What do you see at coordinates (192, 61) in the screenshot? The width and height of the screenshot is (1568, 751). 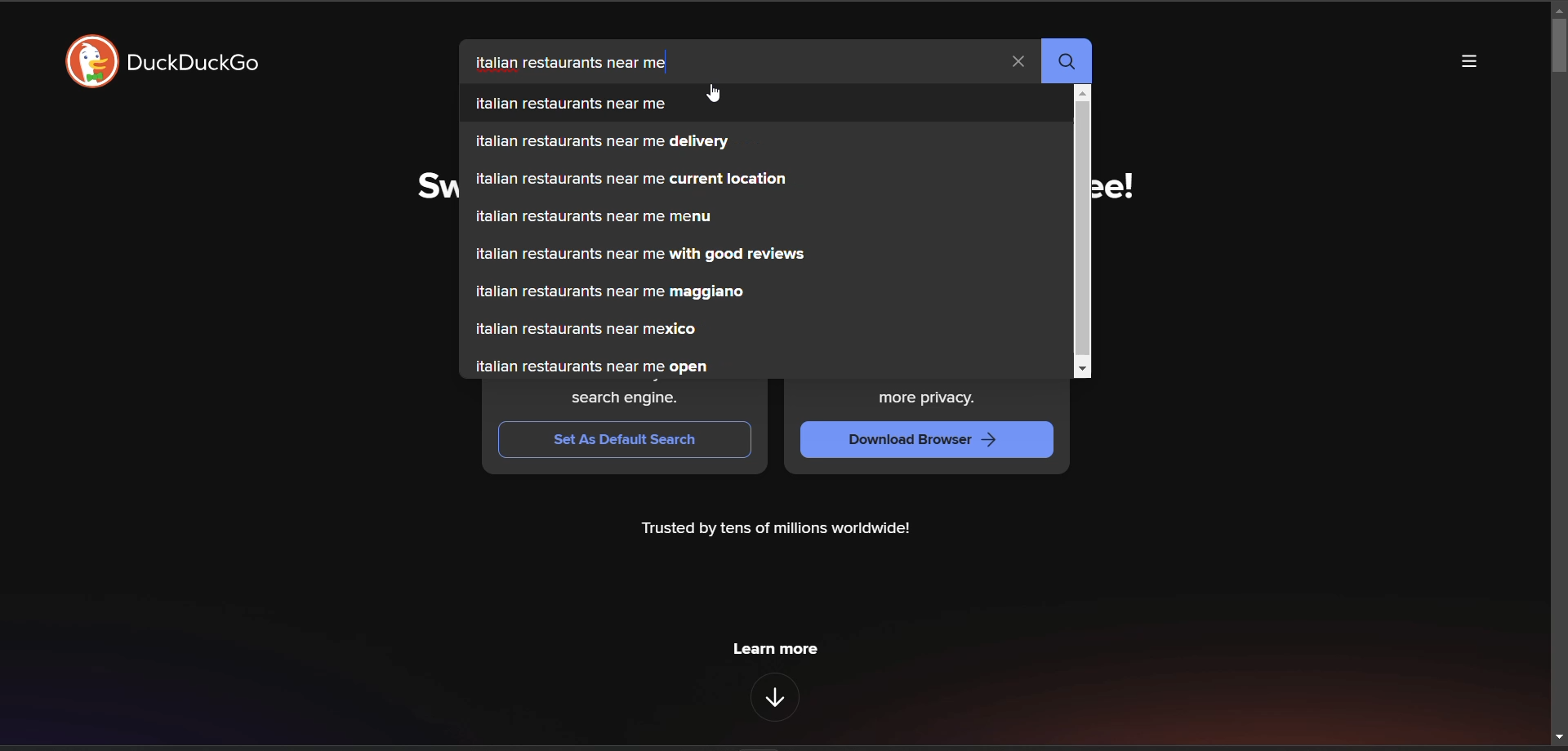 I see `DuckDuckGo` at bounding box center [192, 61].